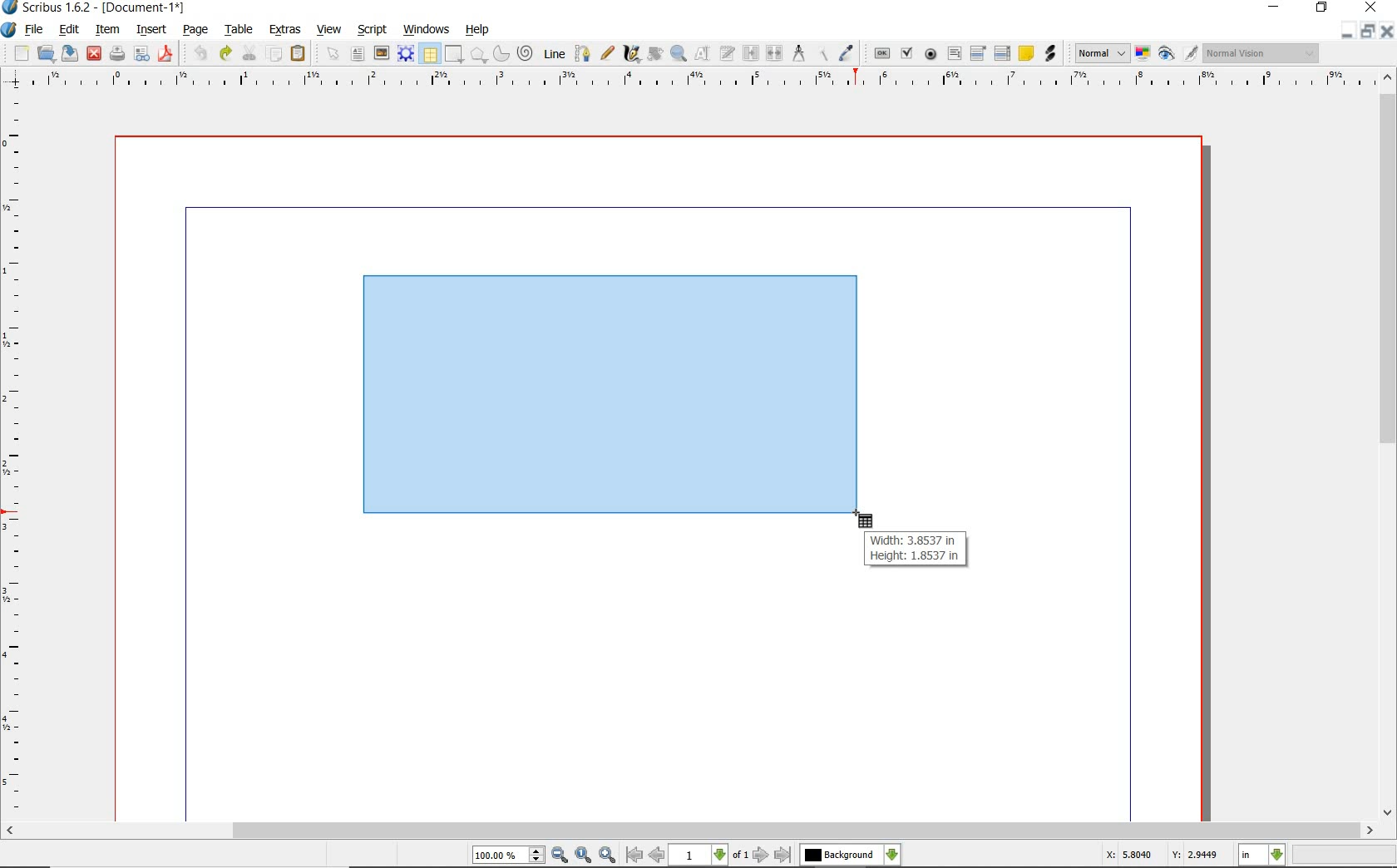 This screenshot has height=868, width=1397. Describe the element at coordinates (106, 30) in the screenshot. I see `item` at that location.